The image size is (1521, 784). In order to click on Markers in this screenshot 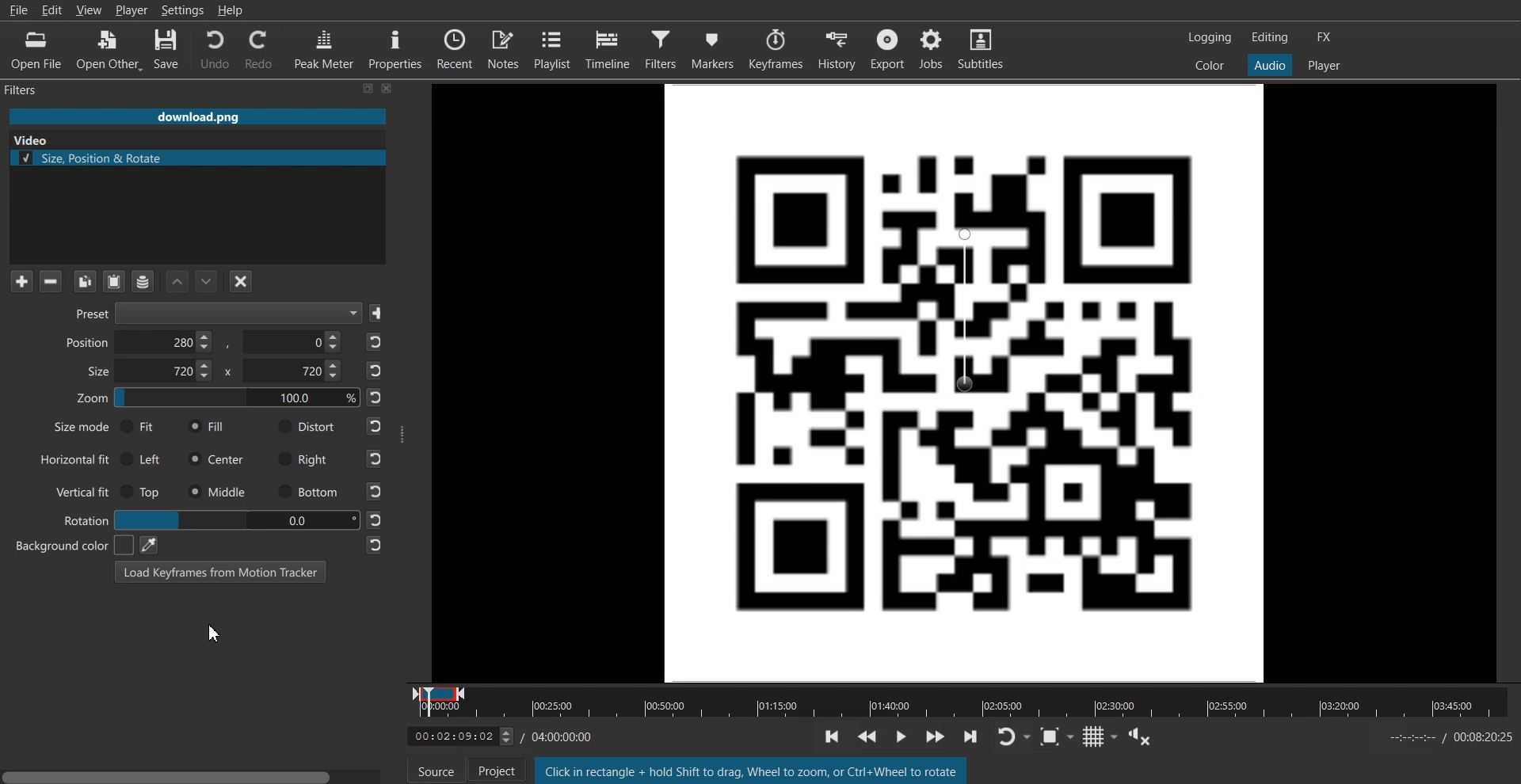, I will do `click(714, 48)`.